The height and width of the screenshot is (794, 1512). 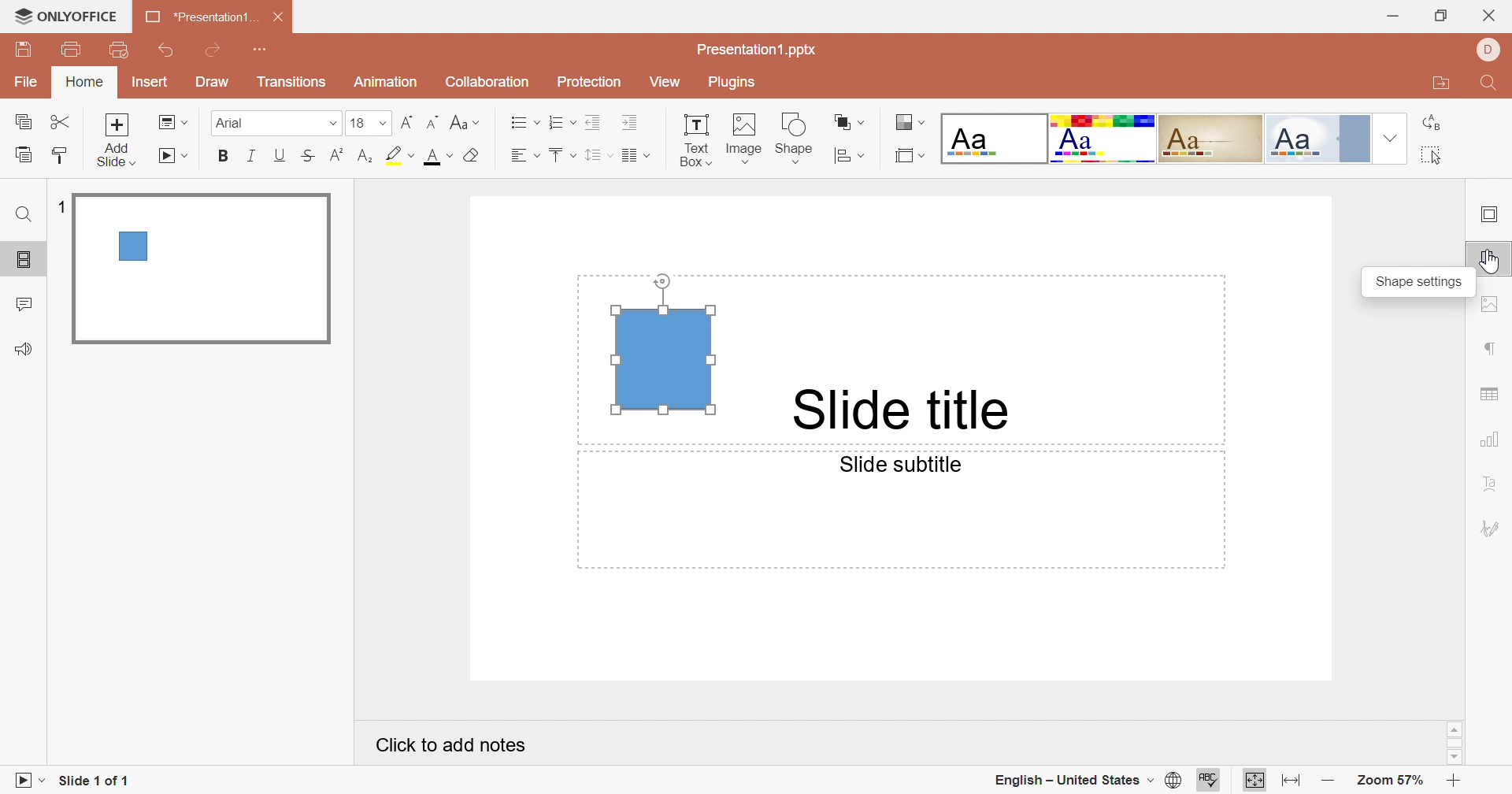 I want to click on Plugins, so click(x=736, y=82).